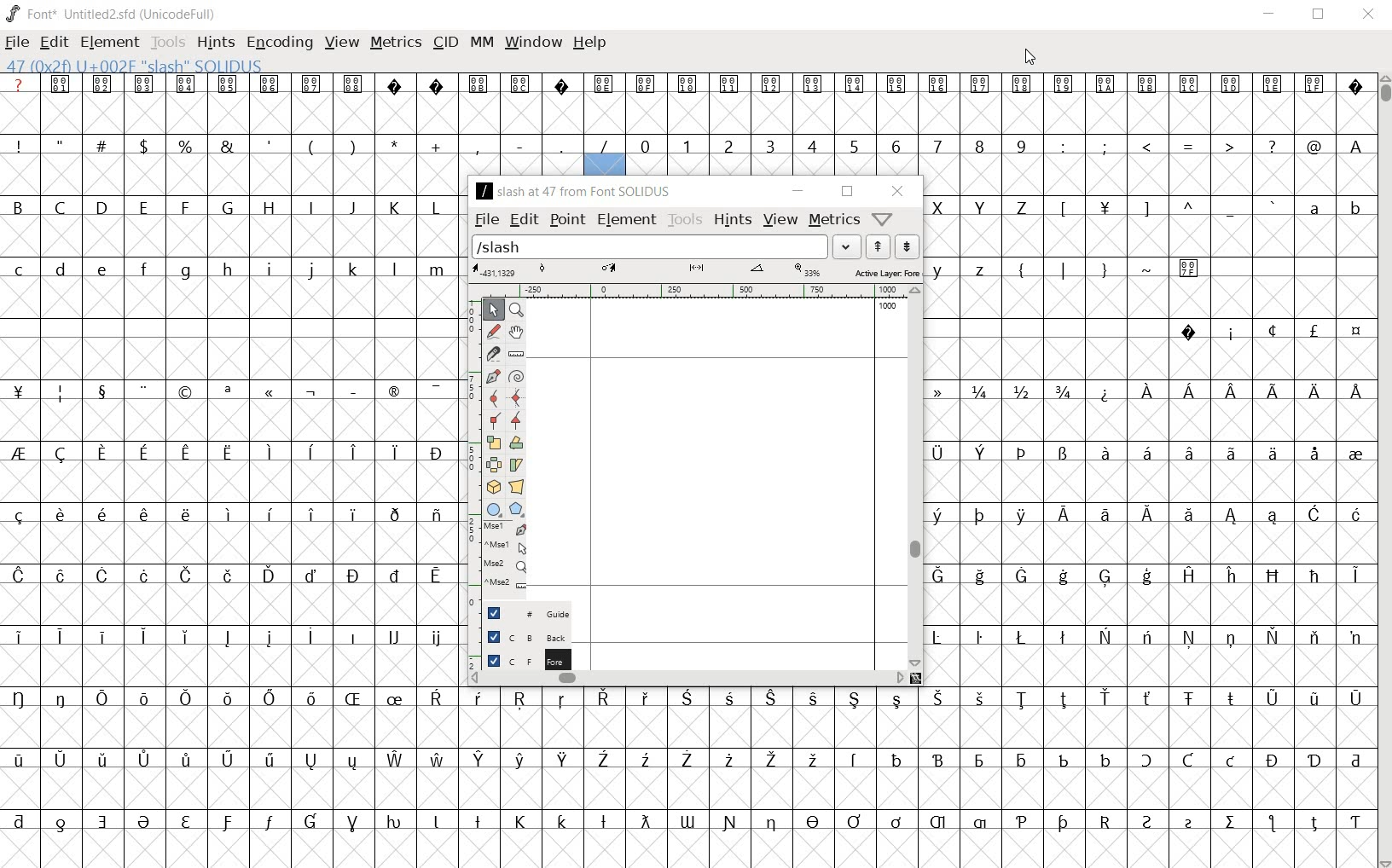  What do you see at coordinates (518, 510) in the screenshot?
I see `polygon or star` at bounding box center [518, 510].